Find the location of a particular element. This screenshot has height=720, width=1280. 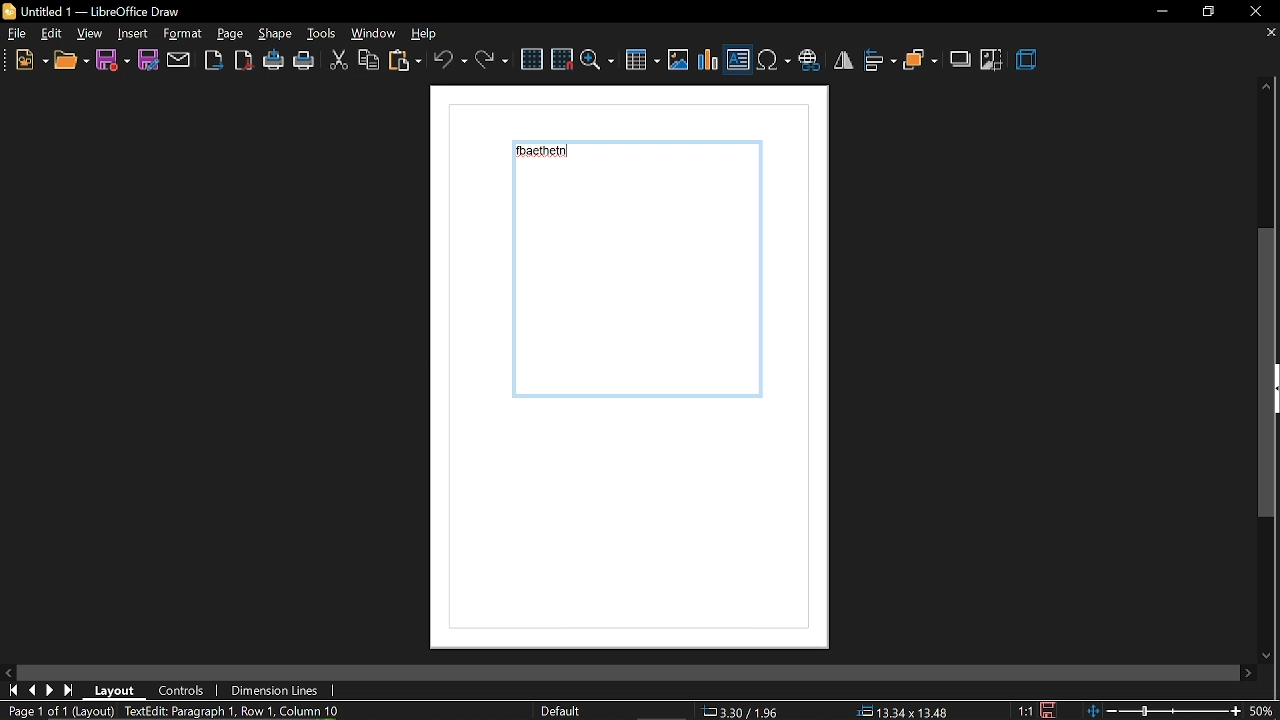

3d effect is located at coordinates (1028, 61).